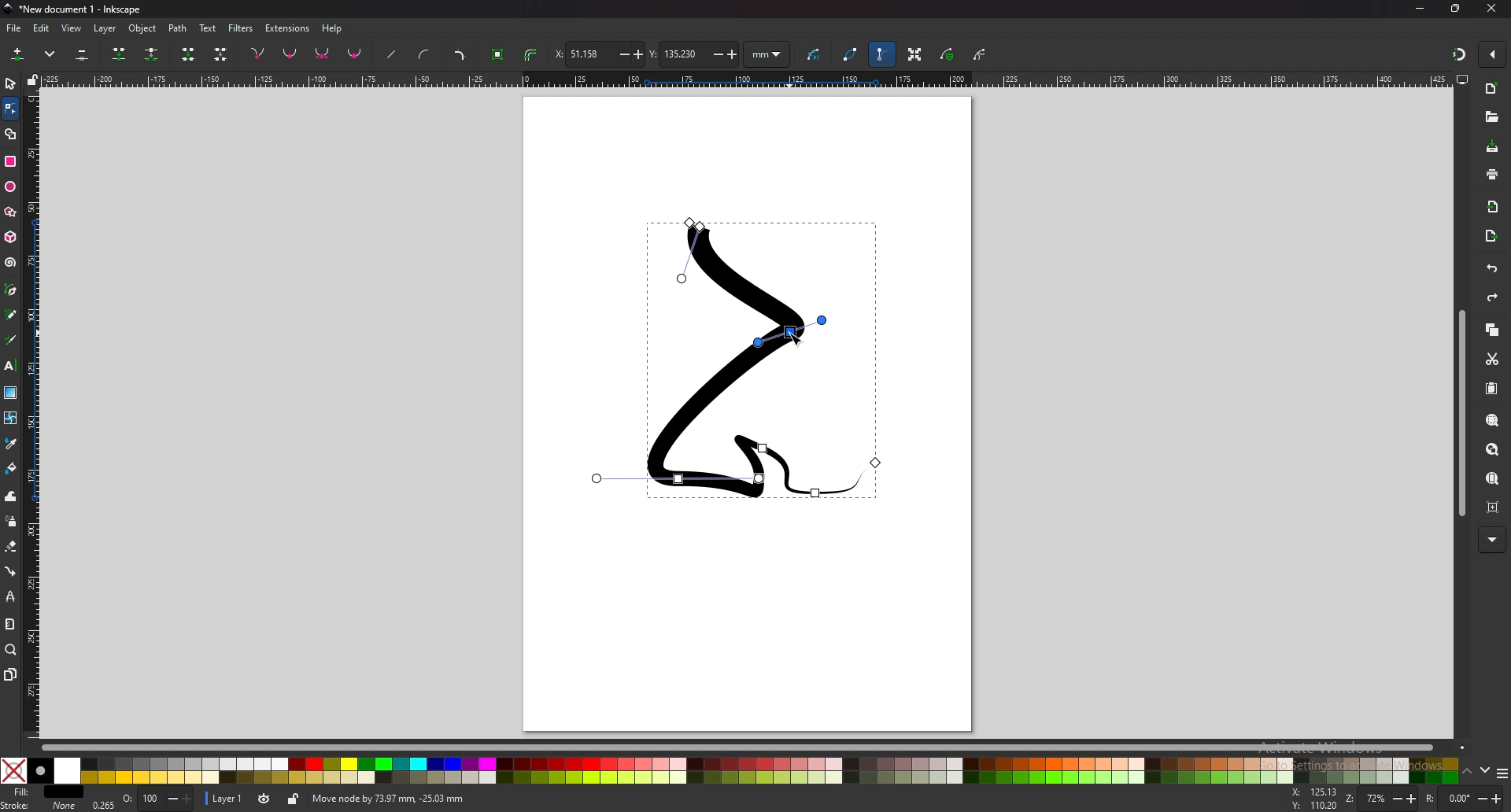  Describe the element at coordinates (534, 799) in the screenshot. I see `info` at that location.